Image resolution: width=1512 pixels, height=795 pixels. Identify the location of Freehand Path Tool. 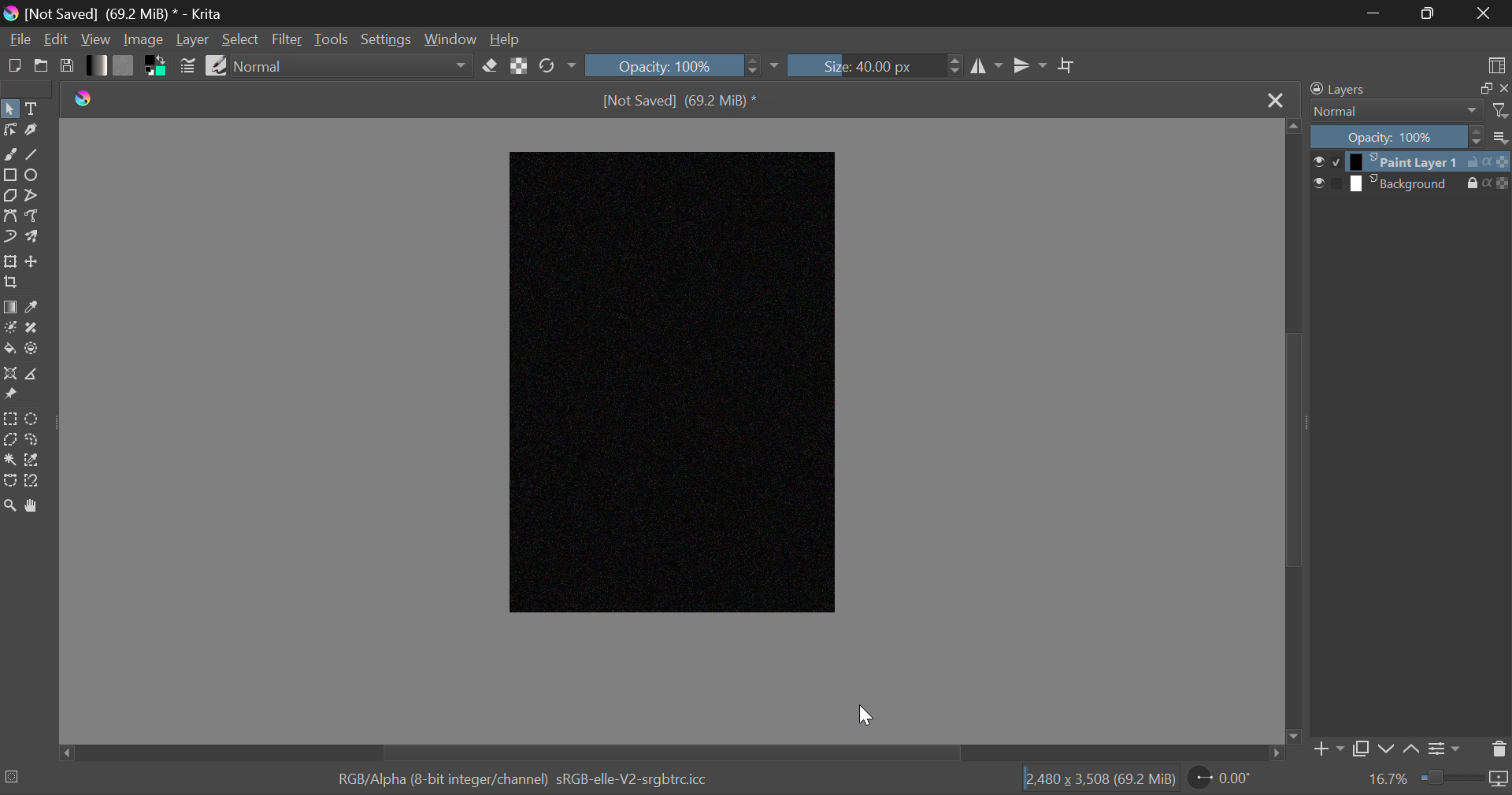
(32, 217).